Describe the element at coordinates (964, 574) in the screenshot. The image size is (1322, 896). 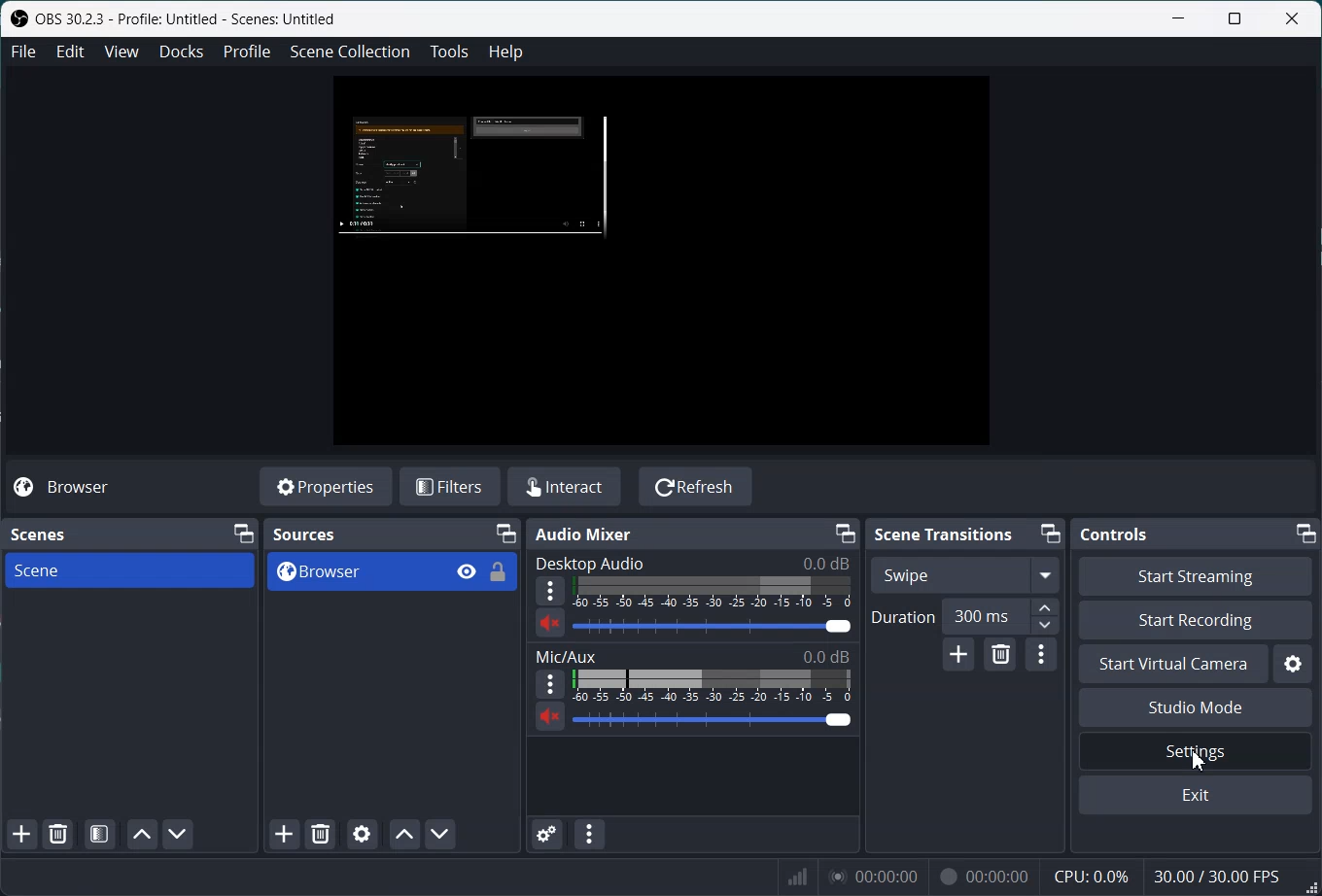
I see `Swipe` at that location.